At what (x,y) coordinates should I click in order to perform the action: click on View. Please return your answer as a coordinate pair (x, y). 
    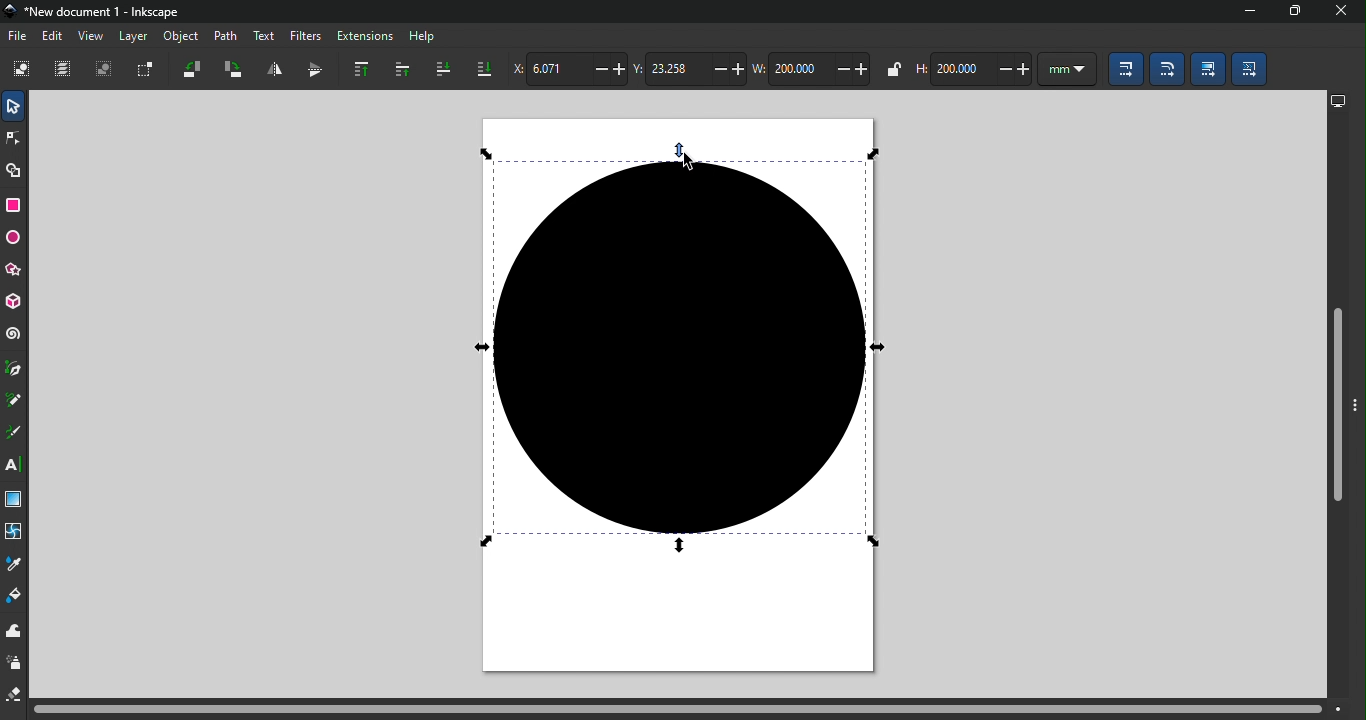
    Looking at the image, I should click on (93, 35).